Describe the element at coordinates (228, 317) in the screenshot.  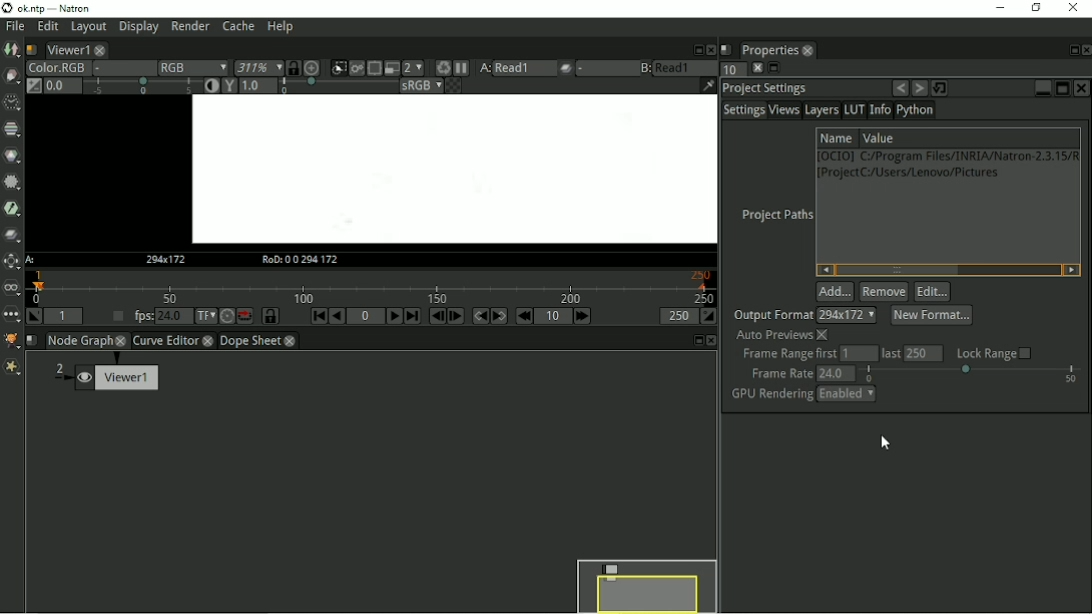
I see `Turbo mode` at that location.